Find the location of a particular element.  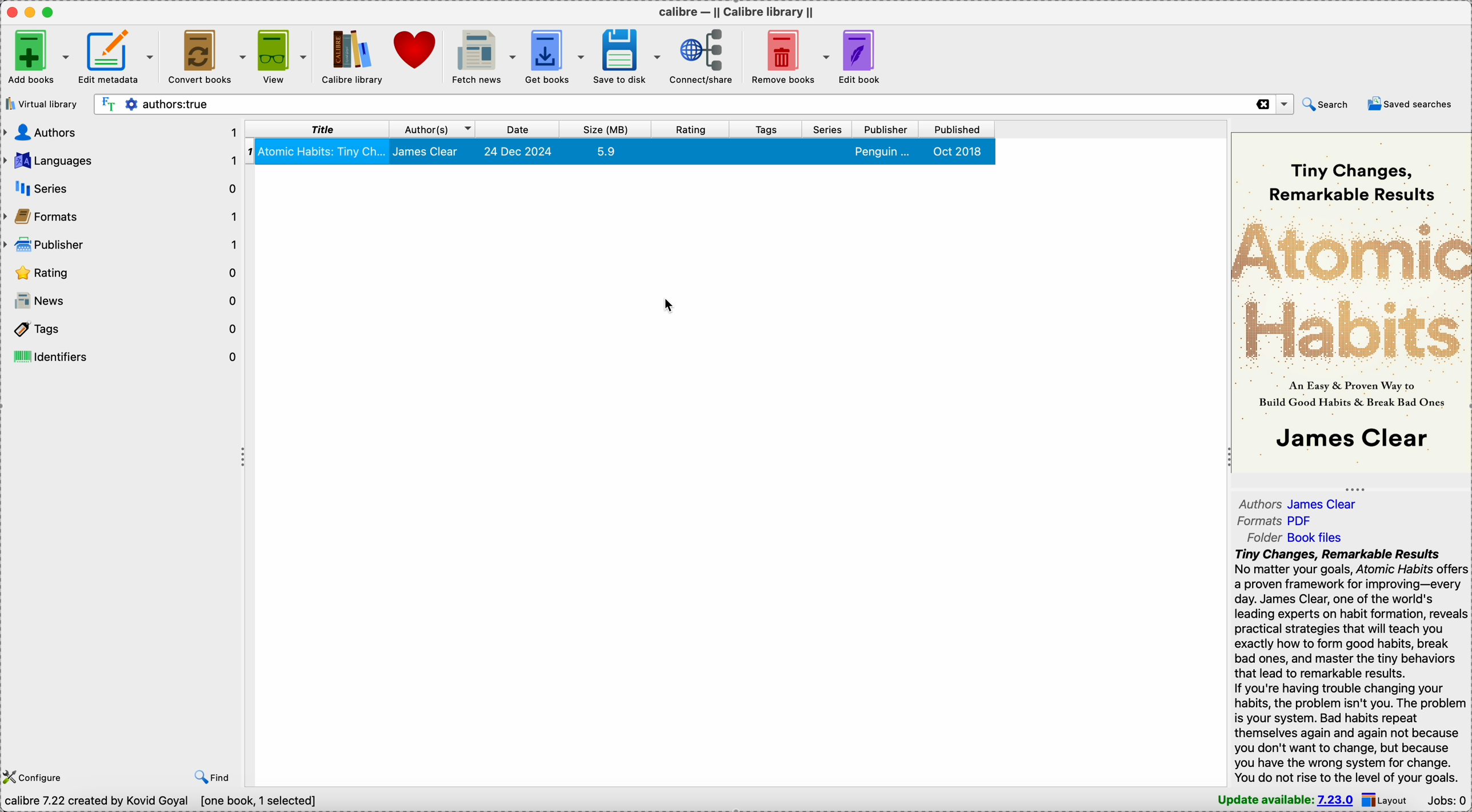

close Calibre is located at coordinates (10, 11).